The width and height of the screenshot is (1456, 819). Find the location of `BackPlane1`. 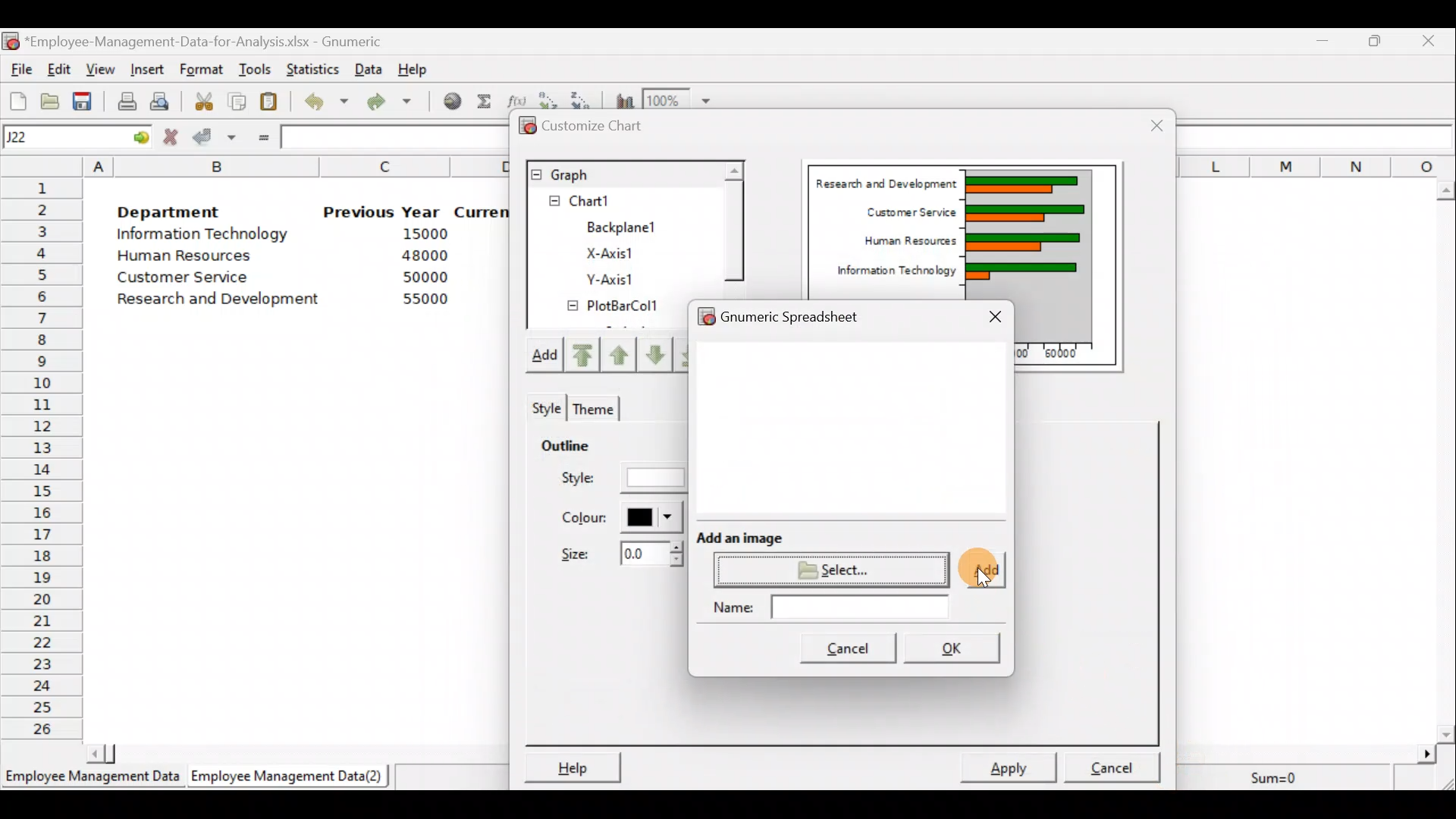

BackPlane1 is located at coordinates (631, 225).